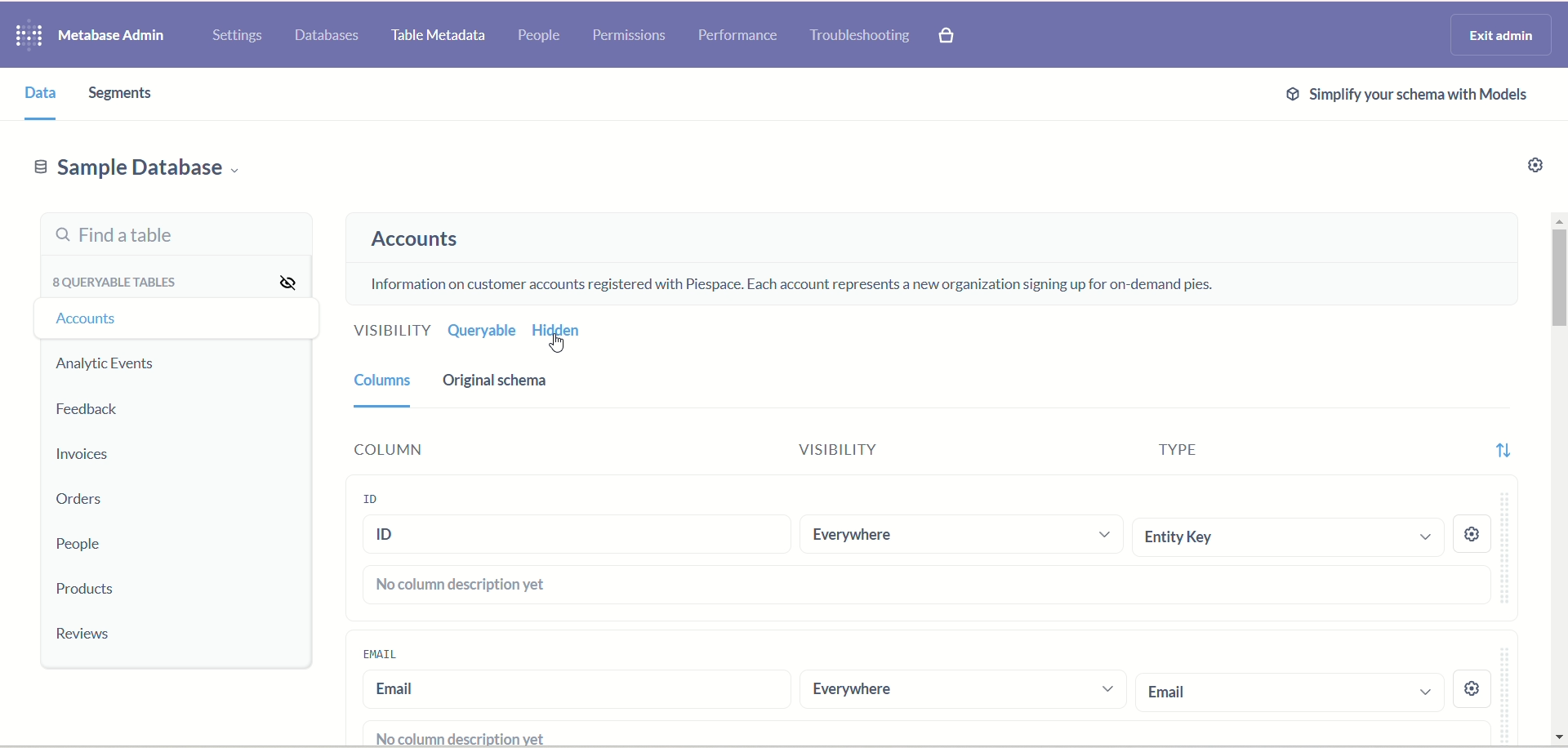 This screenshot has height=748, width=1568. What do you see at coordinates (116, 95) in the screenshot?
I see `segments` at bounding box center [116, 95].